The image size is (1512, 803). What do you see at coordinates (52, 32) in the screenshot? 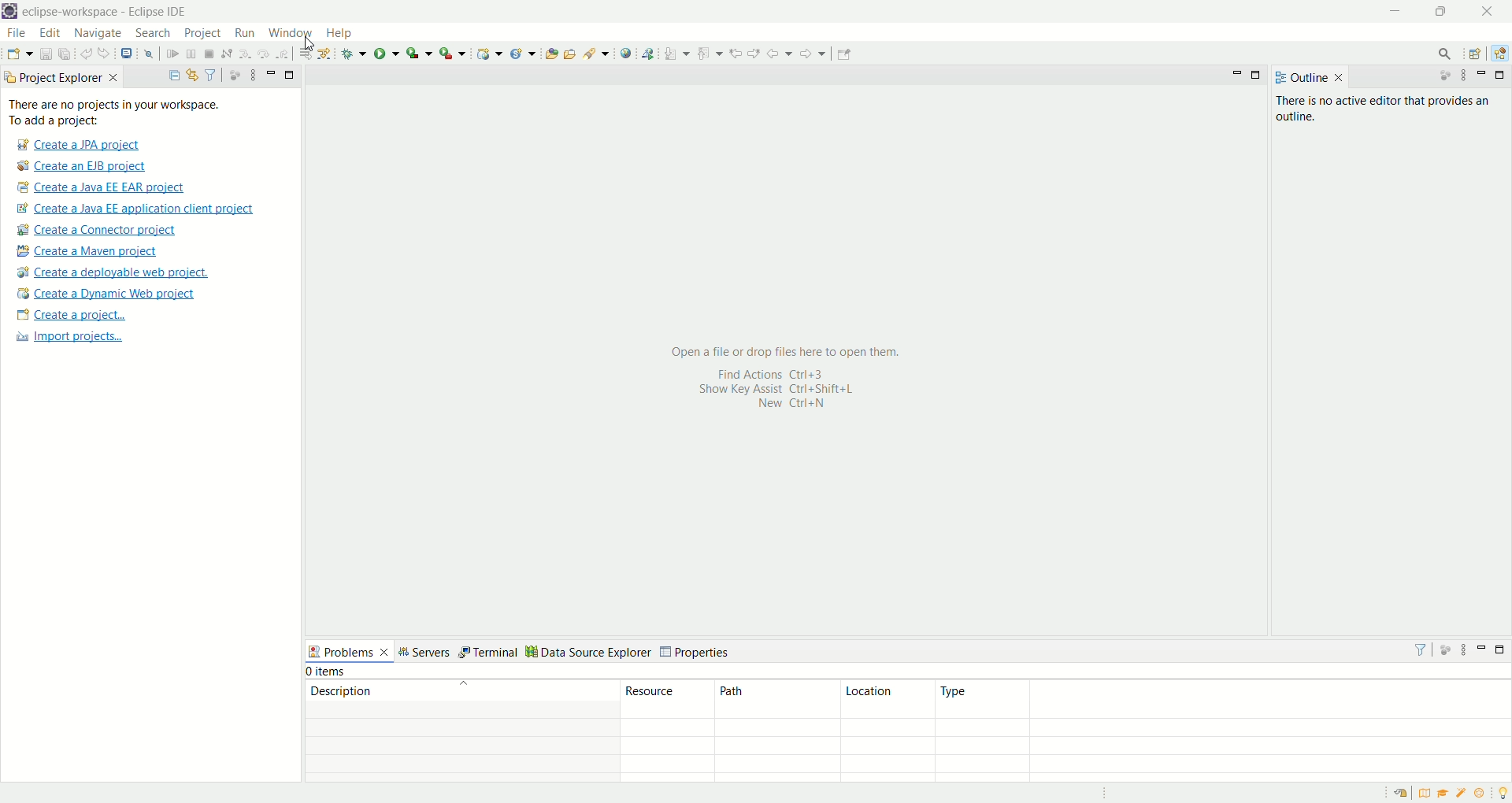
I see `edit` at bounding box center [52, 32].